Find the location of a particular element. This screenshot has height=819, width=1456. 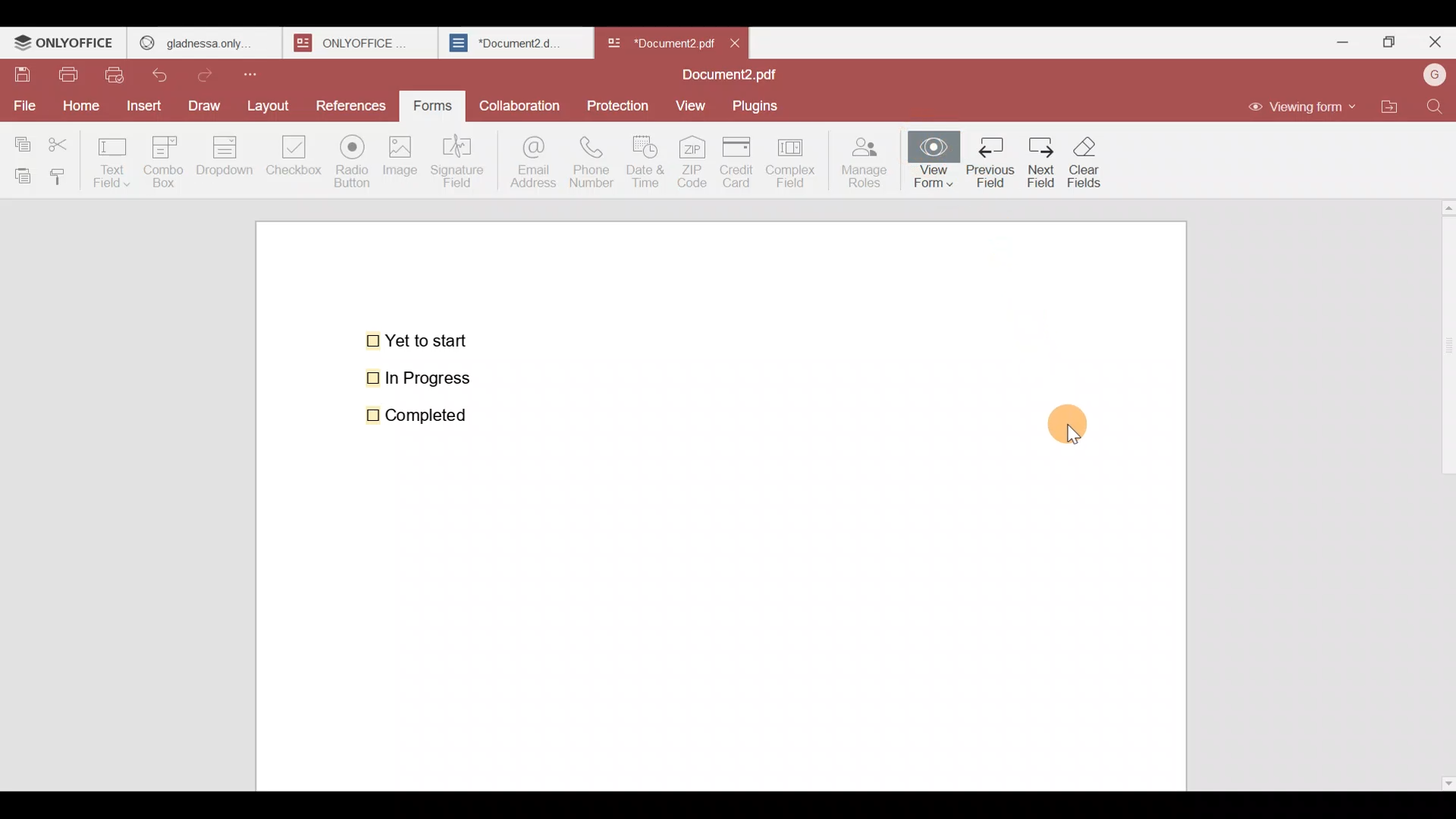

References is located at coordinates (351, 105).